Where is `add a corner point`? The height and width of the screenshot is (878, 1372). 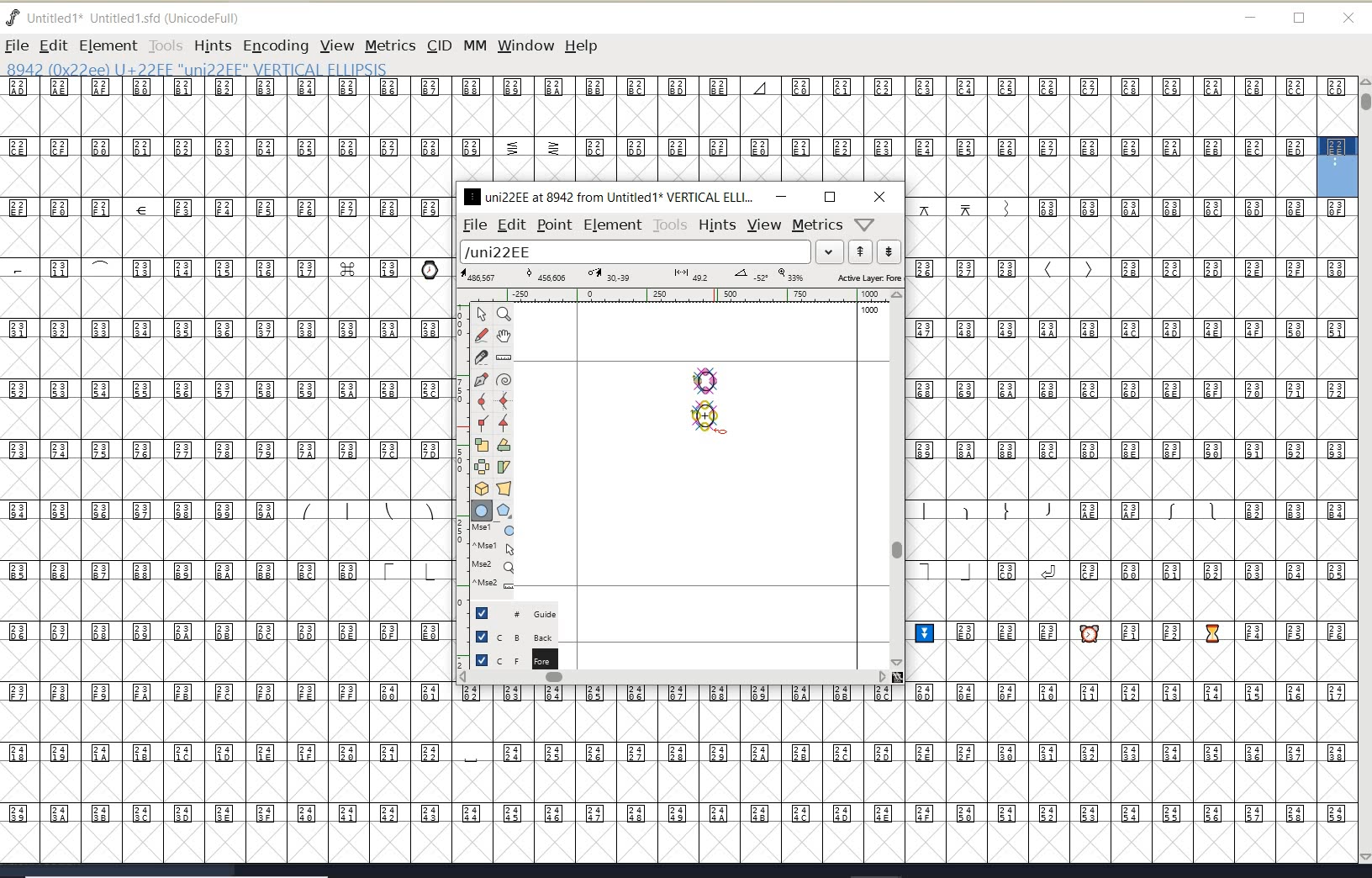
add a corner point is located at coordinates (483, 422).